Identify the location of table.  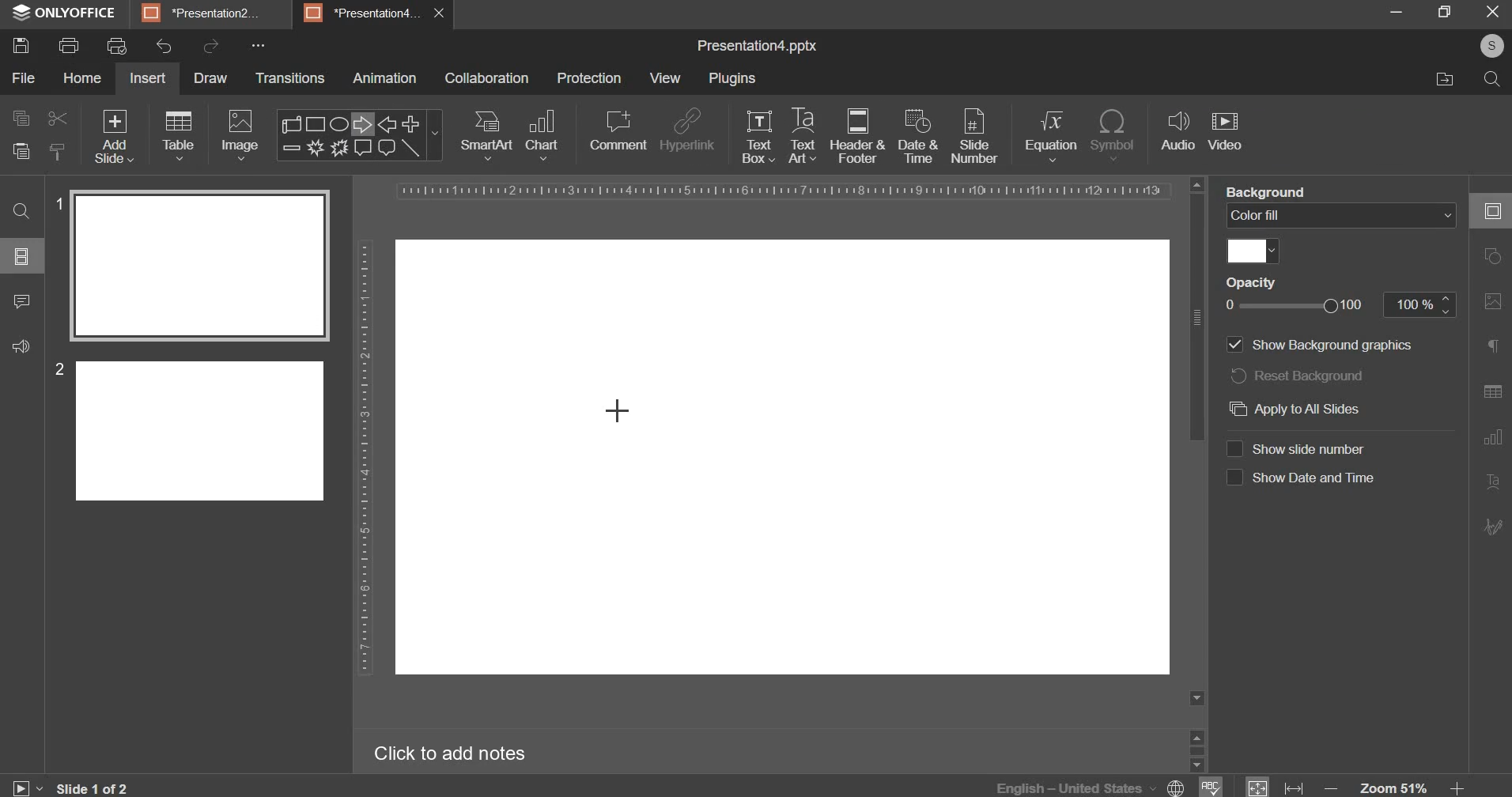
(179, 137).